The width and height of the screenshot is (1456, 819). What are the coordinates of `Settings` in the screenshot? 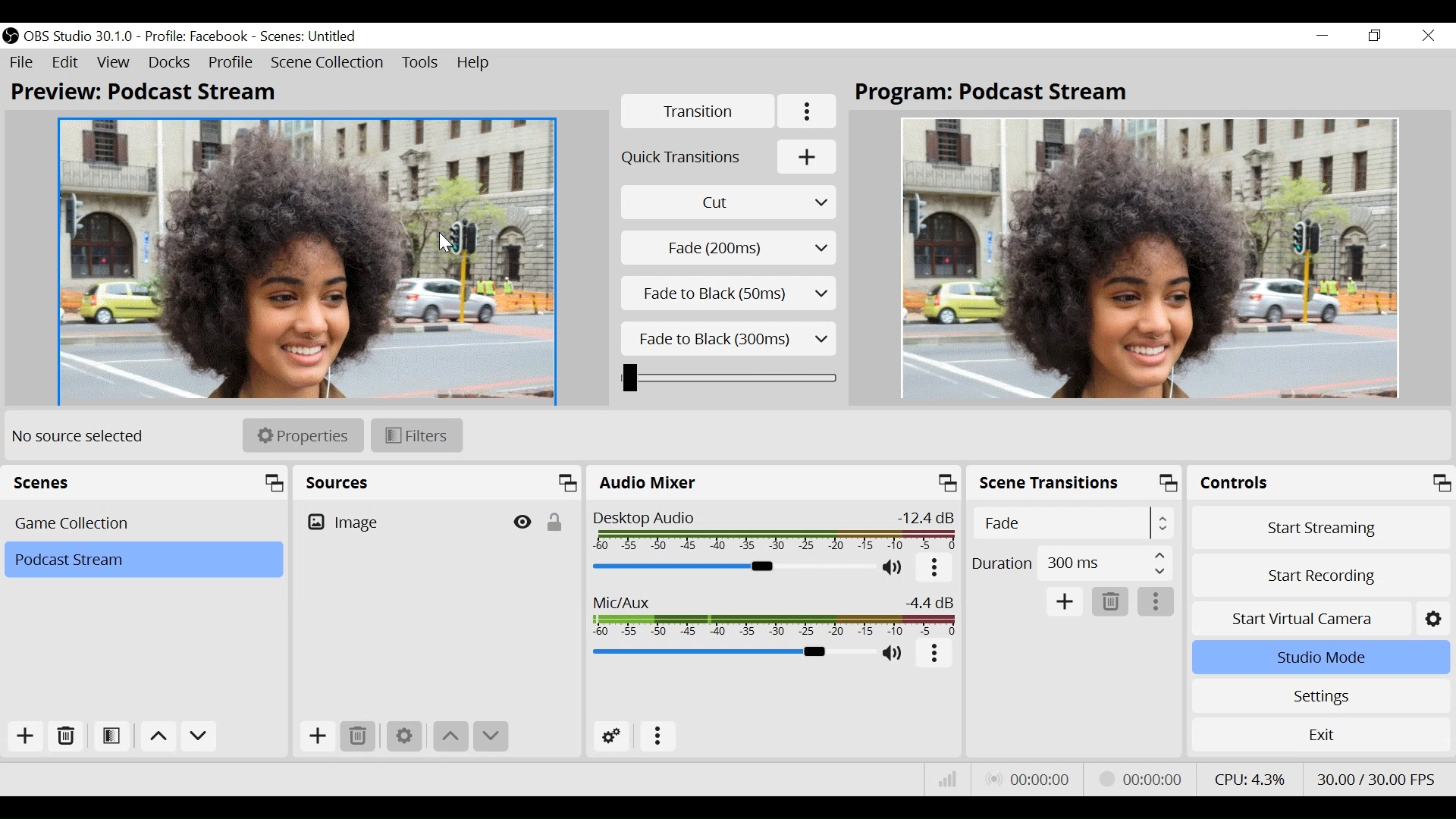 It's located at (403, 736).